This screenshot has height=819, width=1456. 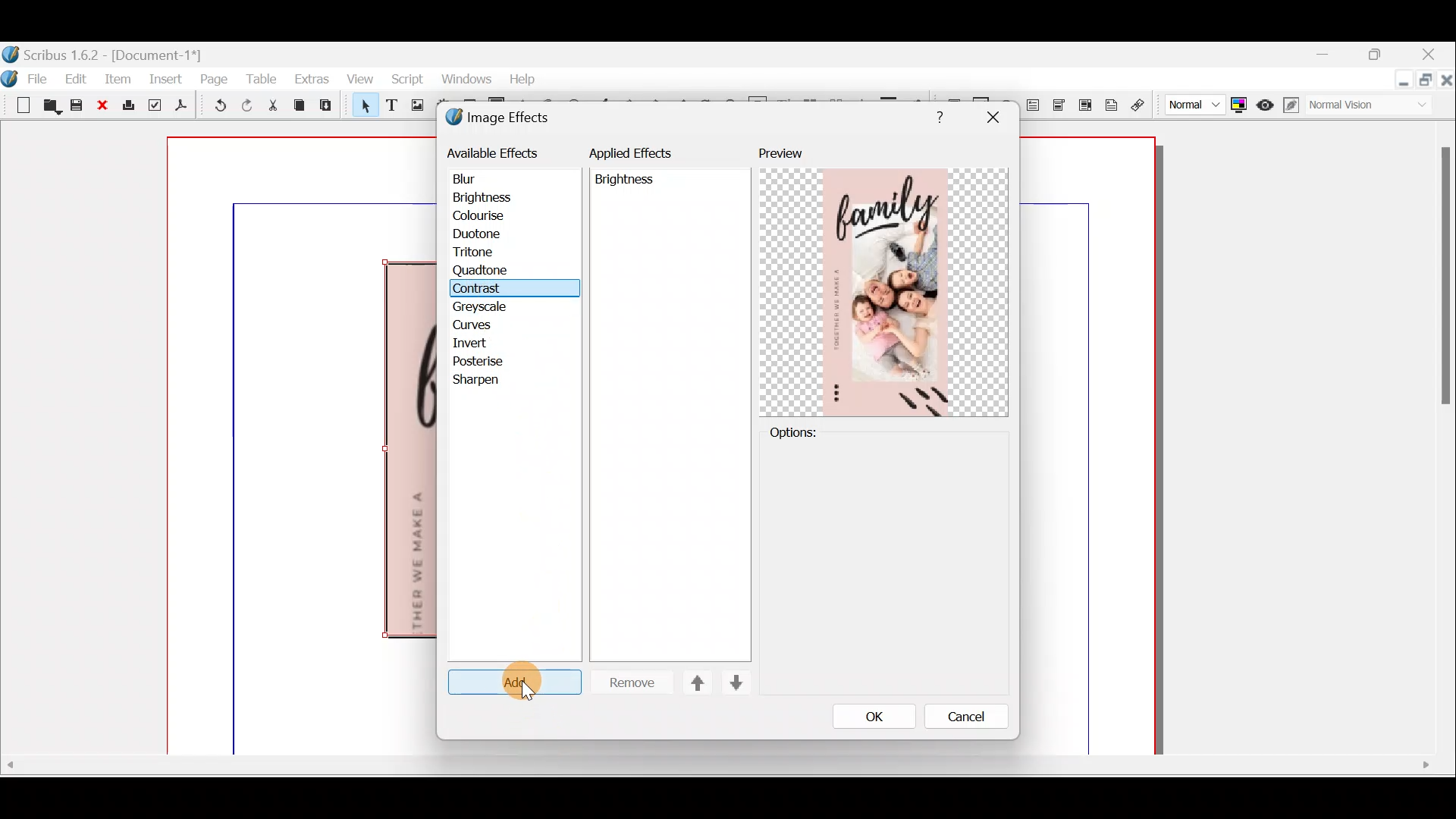 What do you see at coordinates (1328, 55) in the screenshot?
I see `Minimise` at bounding box center [1328, 55].